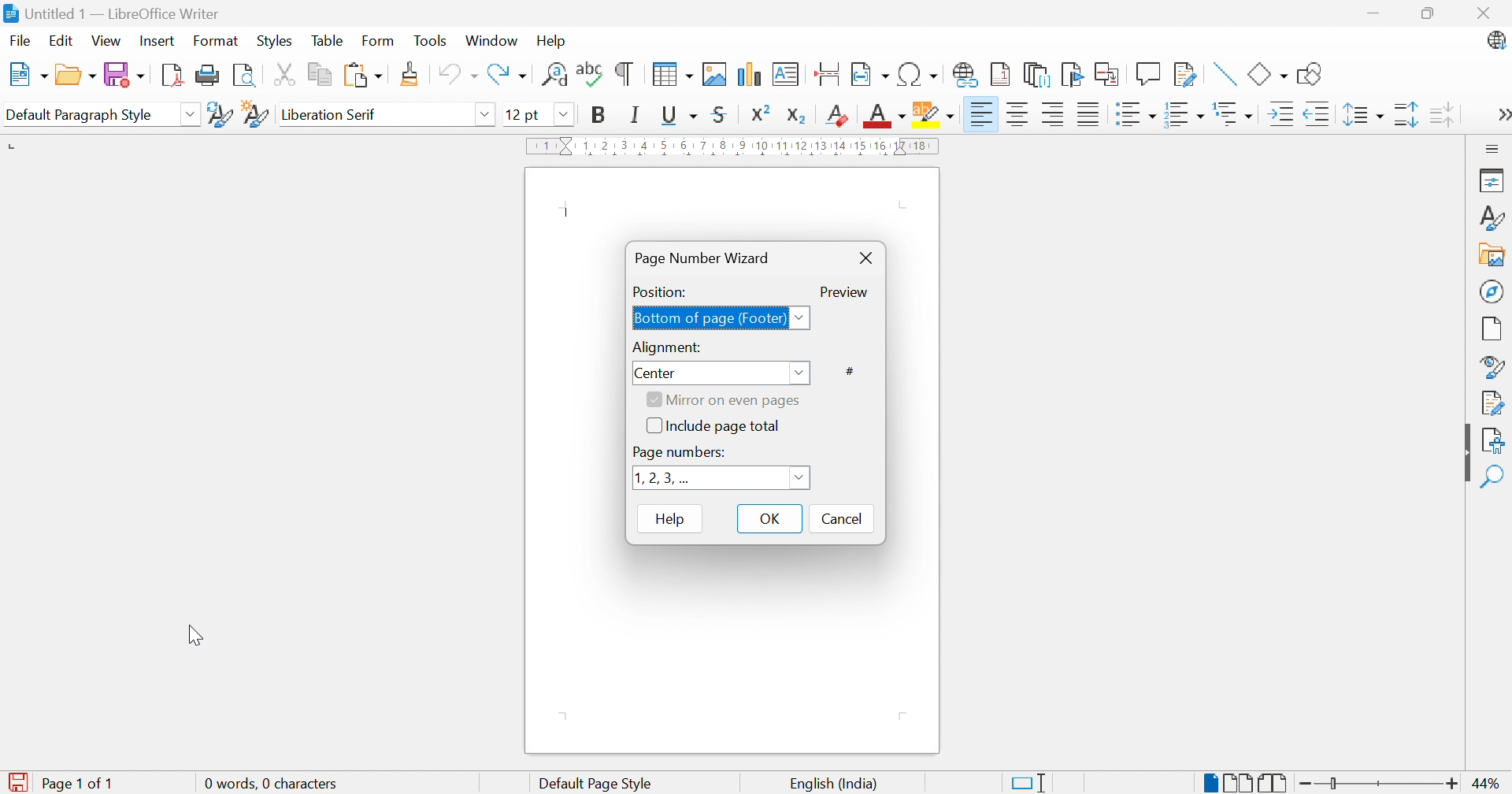  I want to click on Properties, so click(1489, 180).